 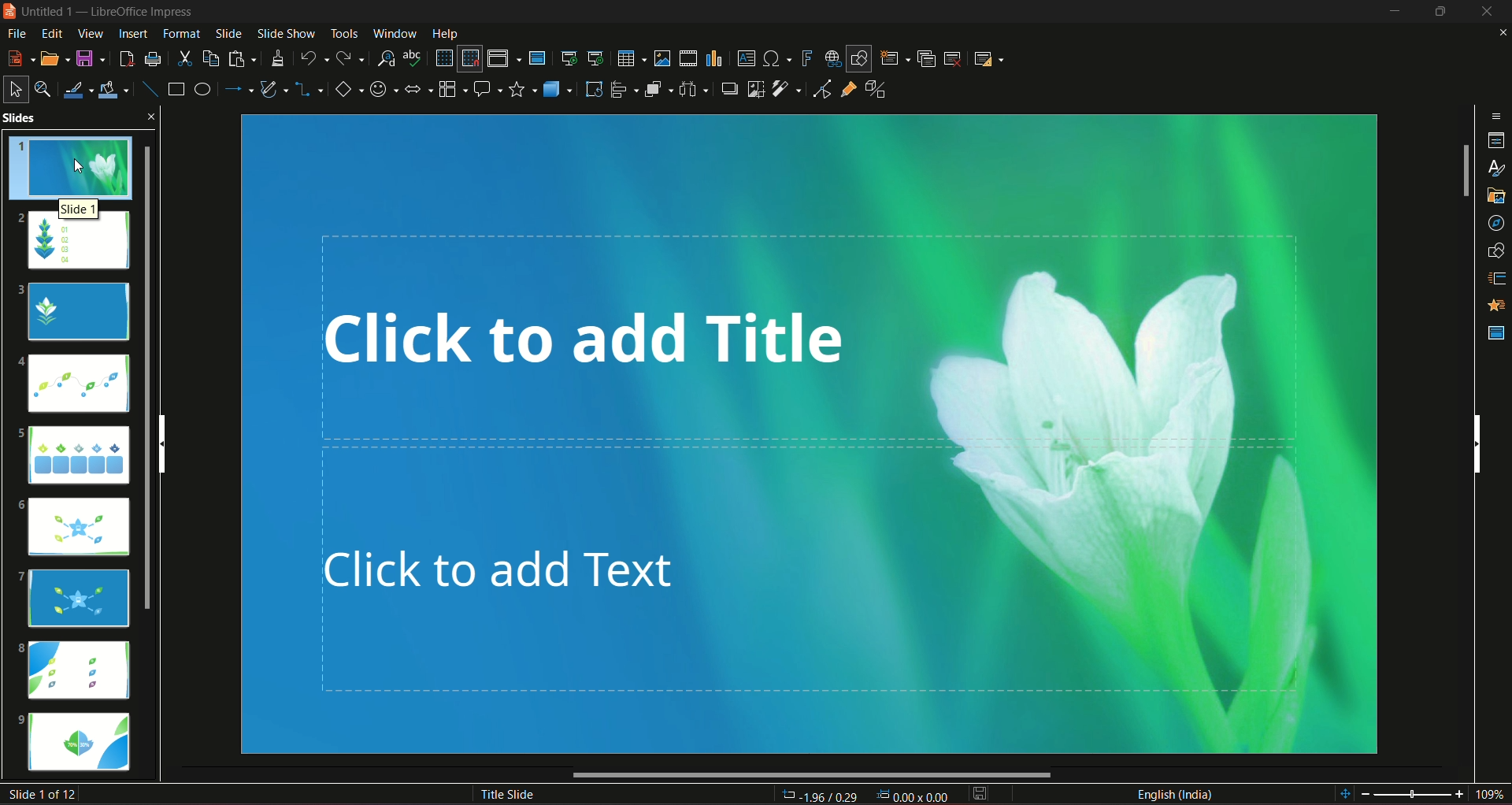 I want to click on vertical slide bar, so click(x=1464, y=172).